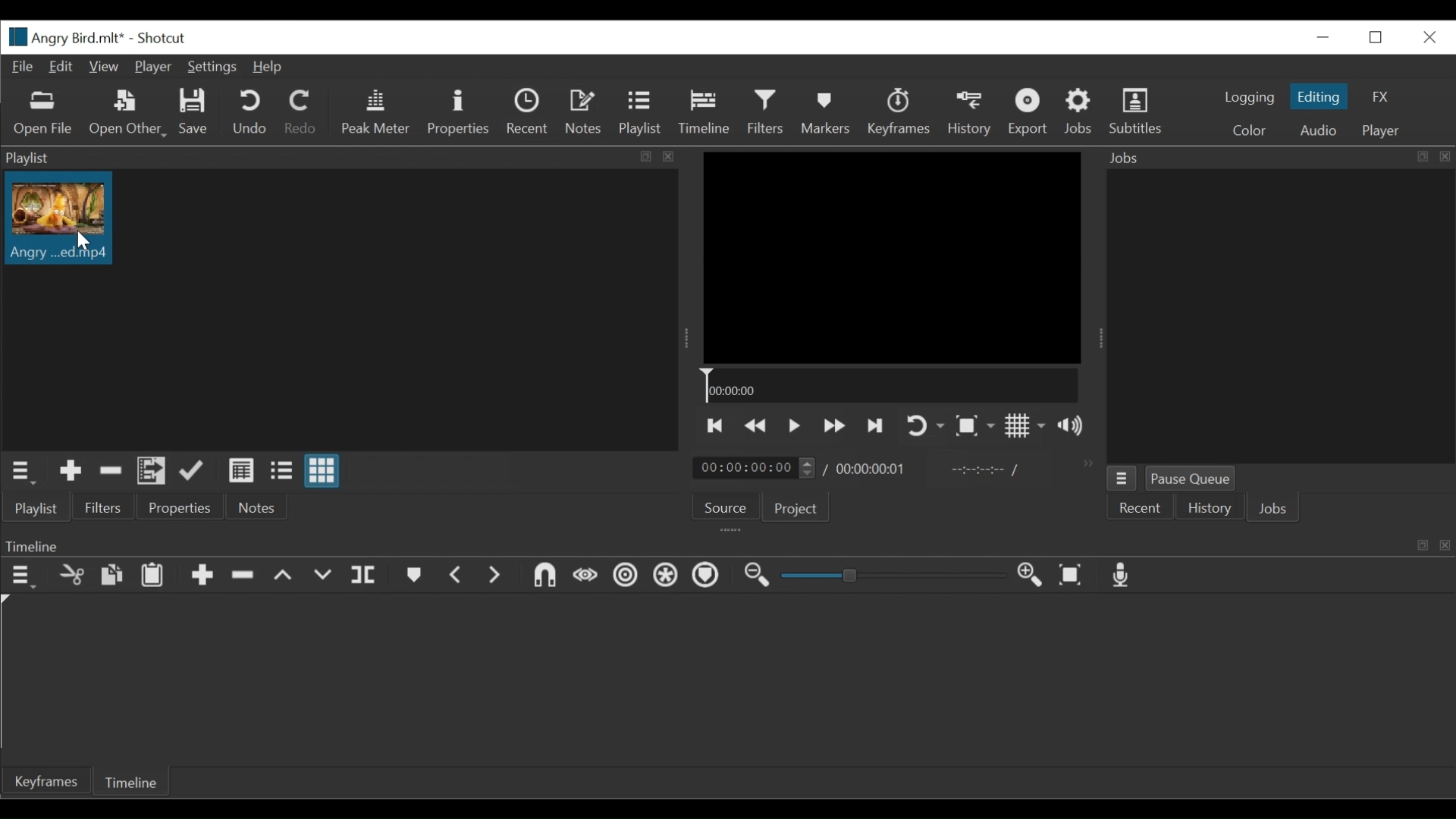  What do you see at coordinates (1029, 113) in the screenshot?
I see `Export` at bounding box center [1029, 113].